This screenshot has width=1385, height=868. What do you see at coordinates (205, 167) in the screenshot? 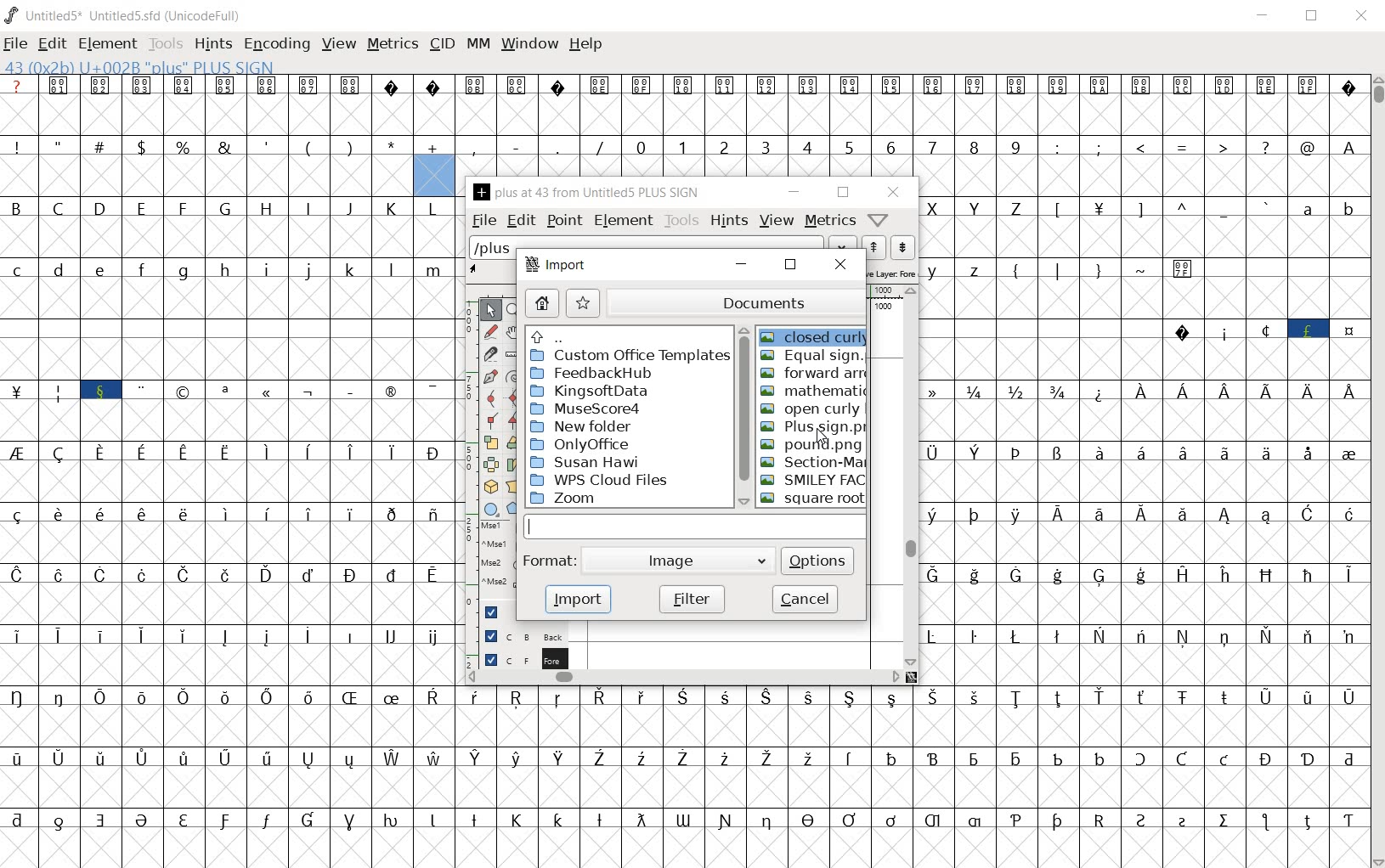
I see `special characters` at bounding box center [205, 167].